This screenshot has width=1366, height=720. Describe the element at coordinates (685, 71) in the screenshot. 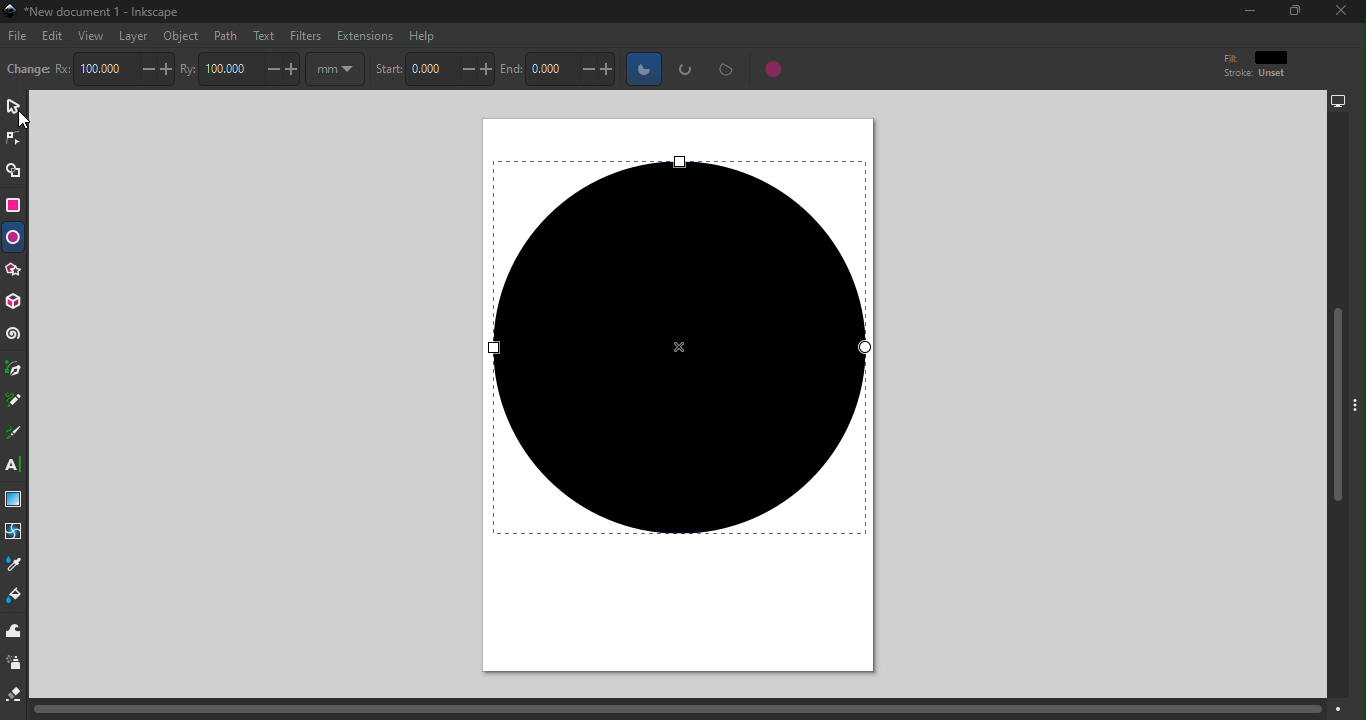

I see `Switch to arc (unclosed shape)` at that location.